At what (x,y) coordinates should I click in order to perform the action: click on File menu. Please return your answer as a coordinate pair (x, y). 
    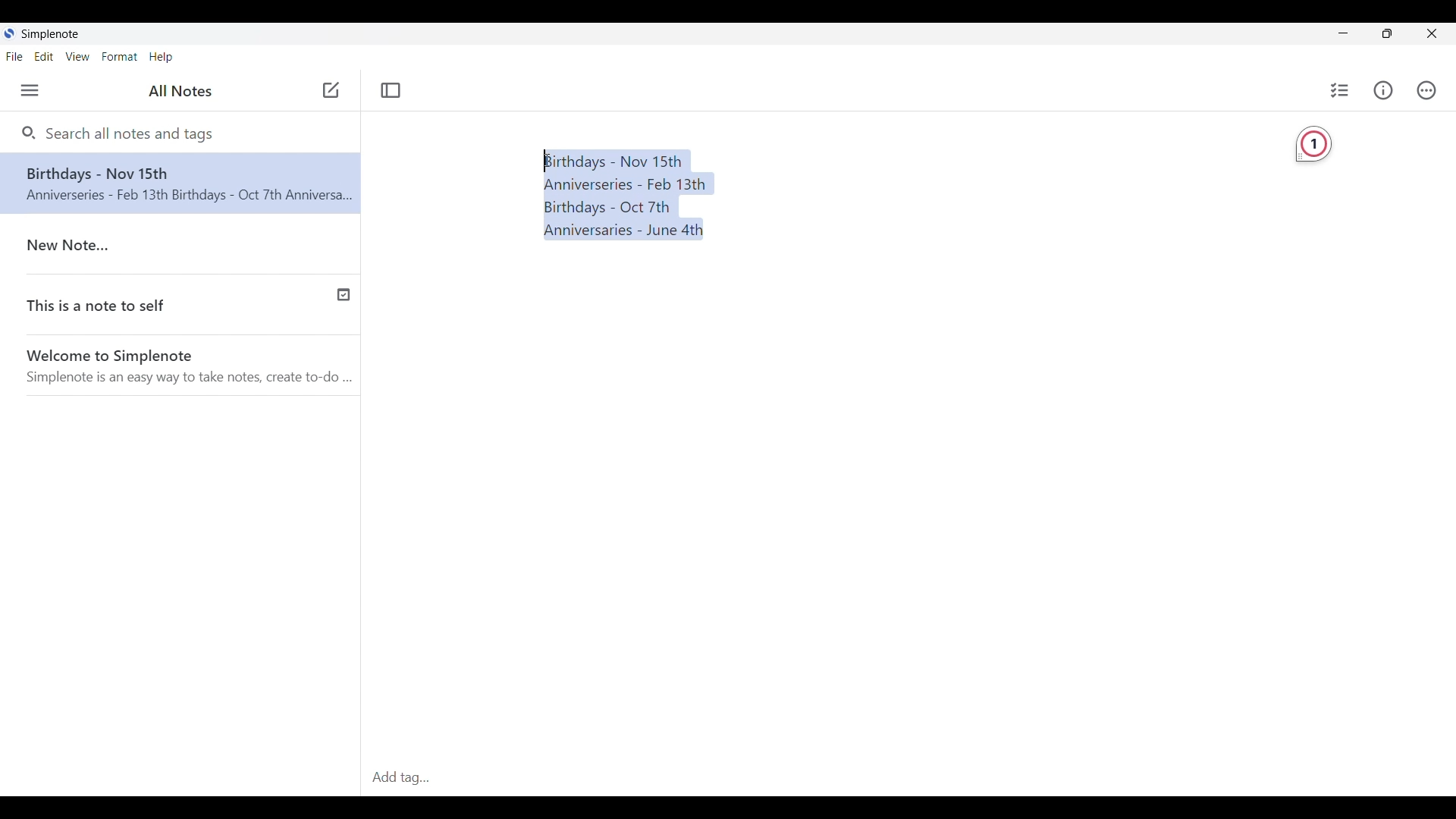
    Looking at the image, I should click on (14, 56).